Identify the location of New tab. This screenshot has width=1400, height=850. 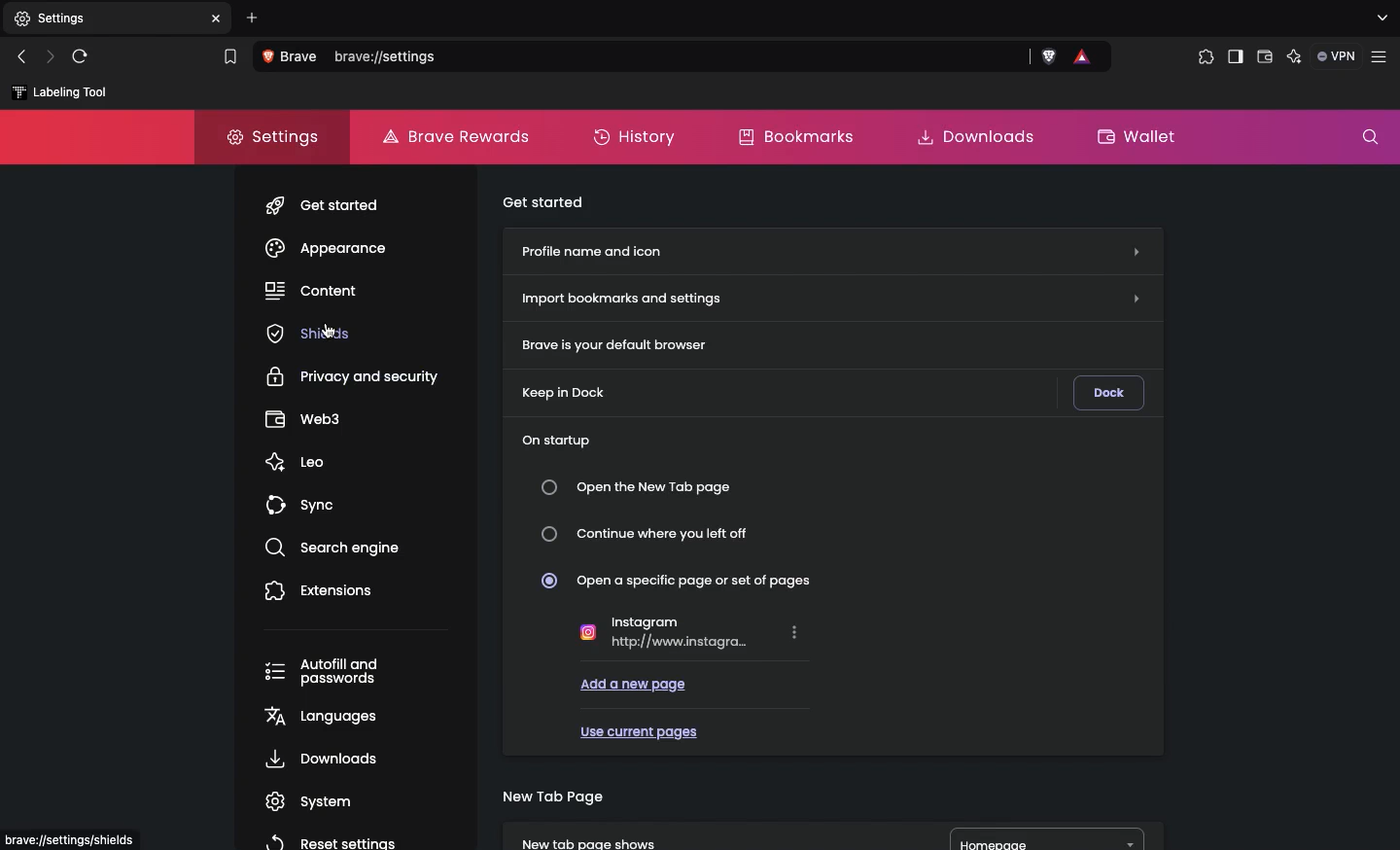
(46, 20).